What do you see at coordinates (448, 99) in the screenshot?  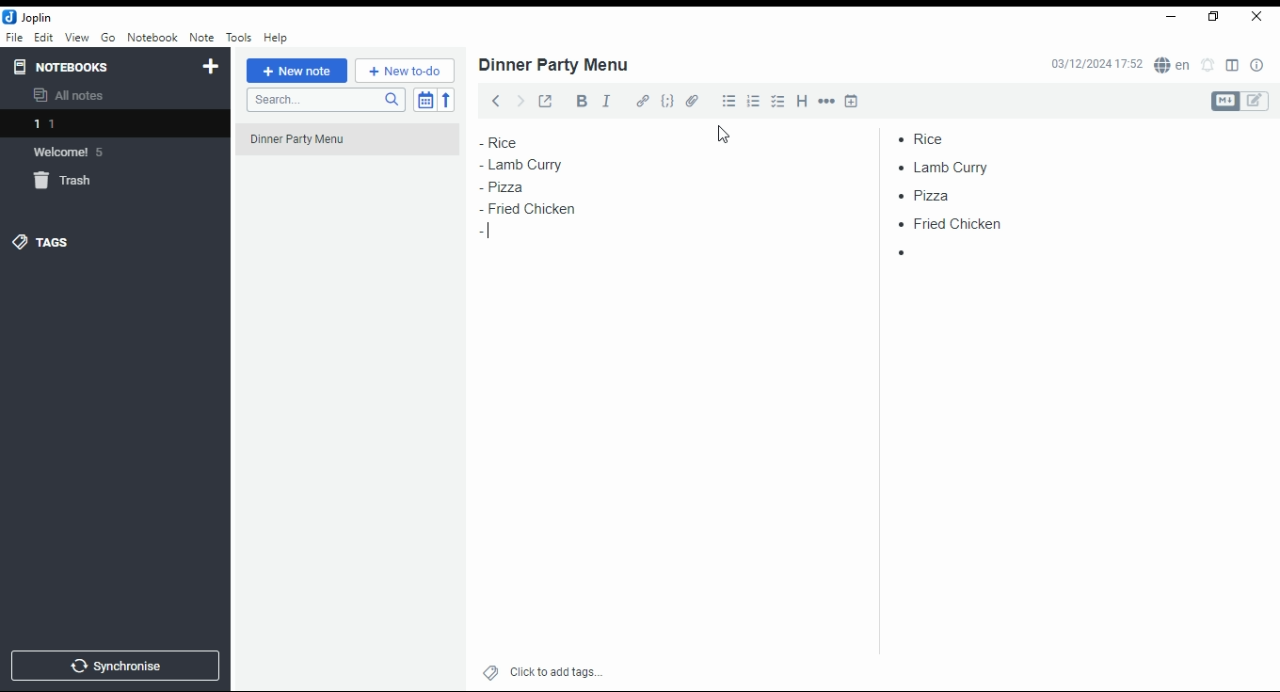 I see `reverse sort order` at bounding box center [448, 99].